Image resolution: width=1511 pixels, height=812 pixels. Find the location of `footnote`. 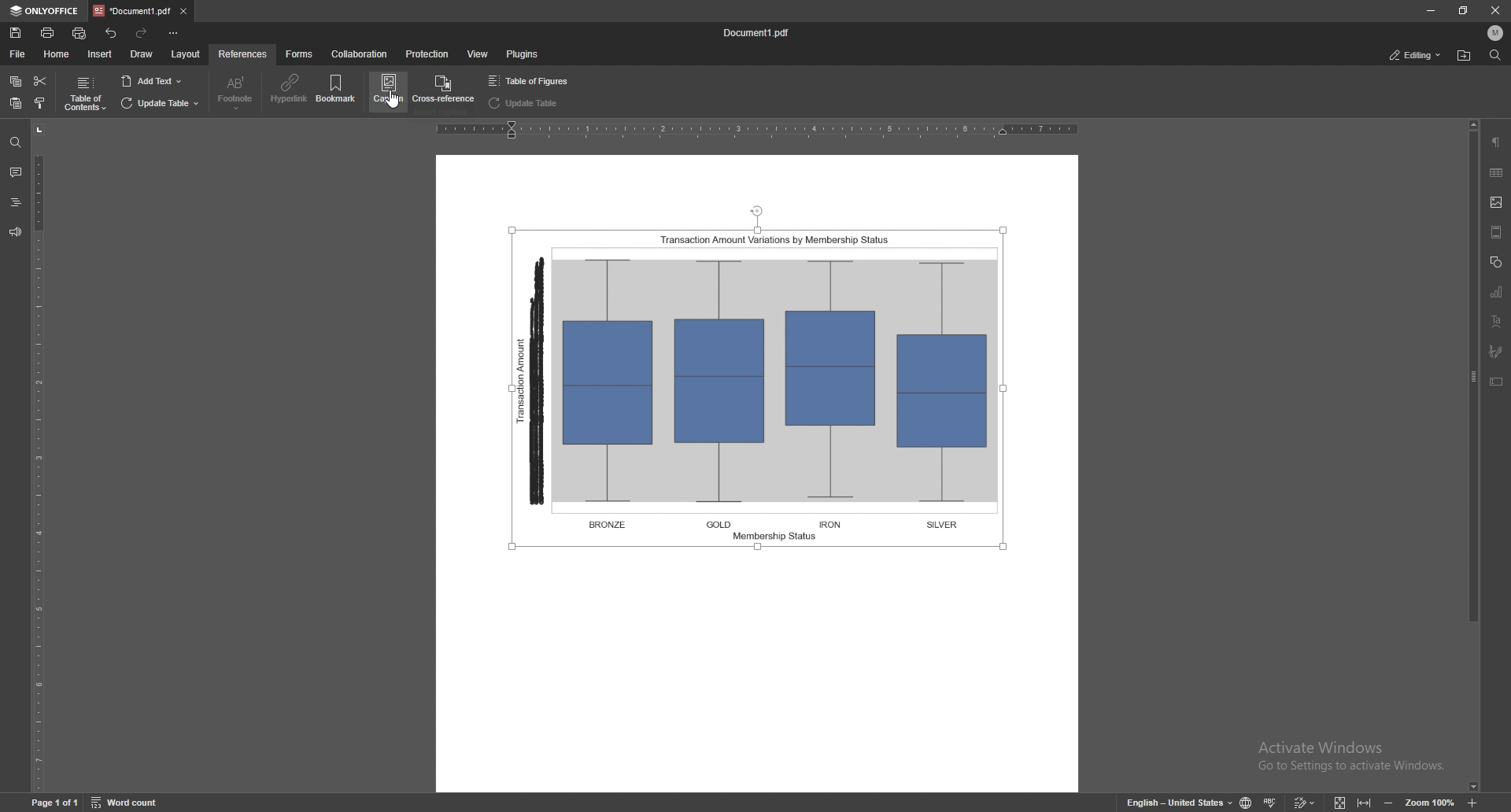

footnote is located at coordinates (235, 93).